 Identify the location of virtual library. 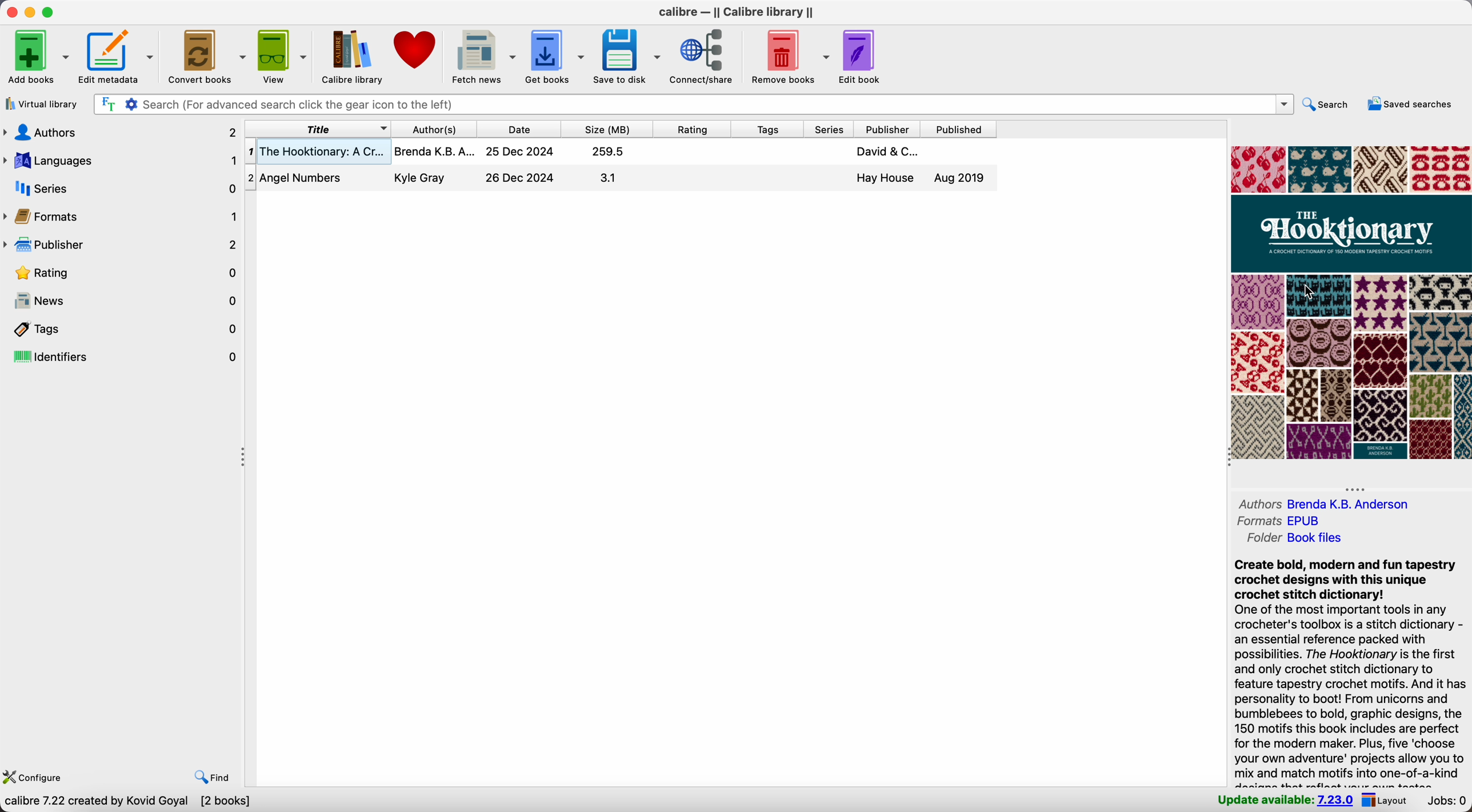
(41, 103).